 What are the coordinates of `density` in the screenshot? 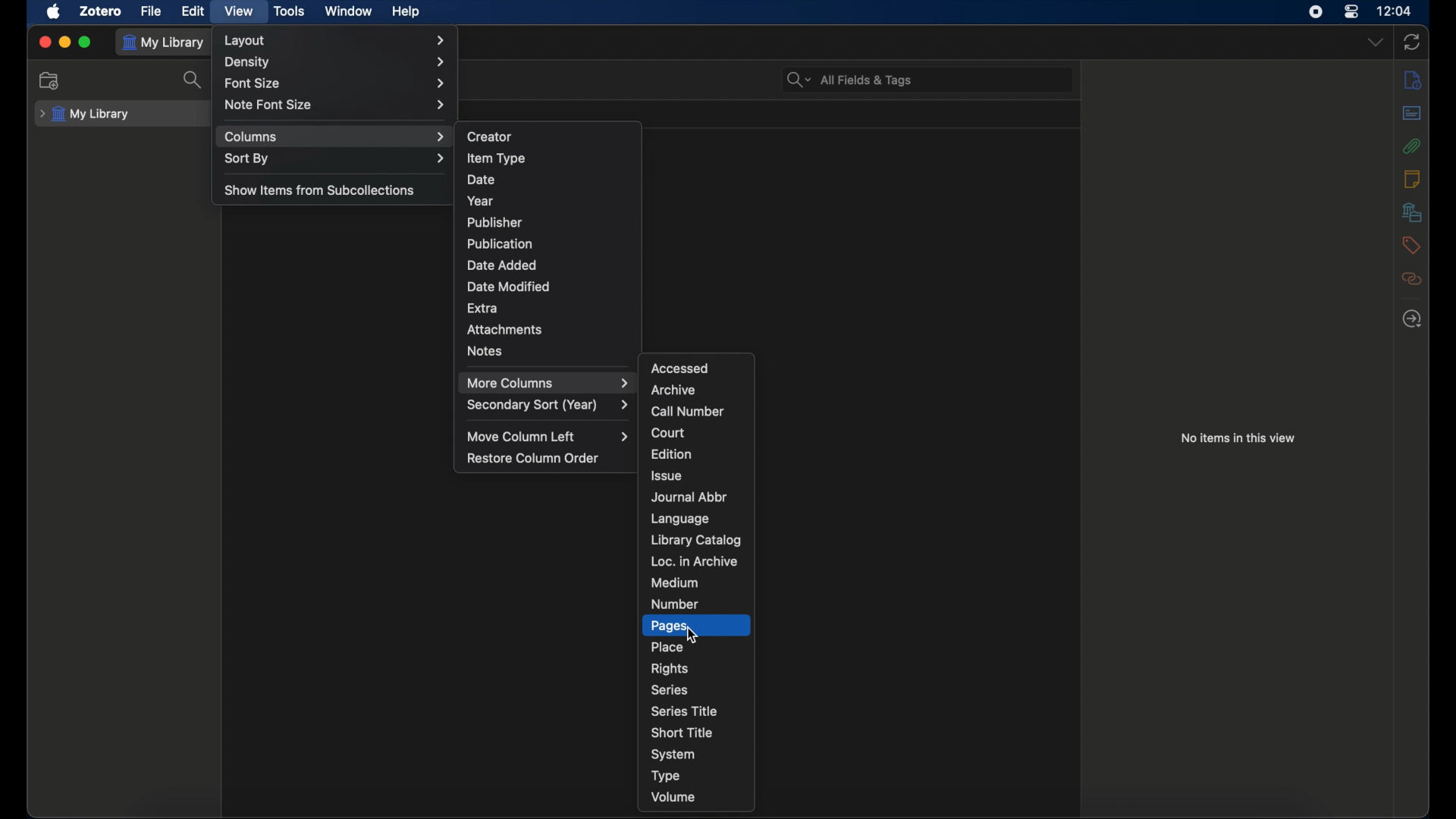 It's located at (336, 63).